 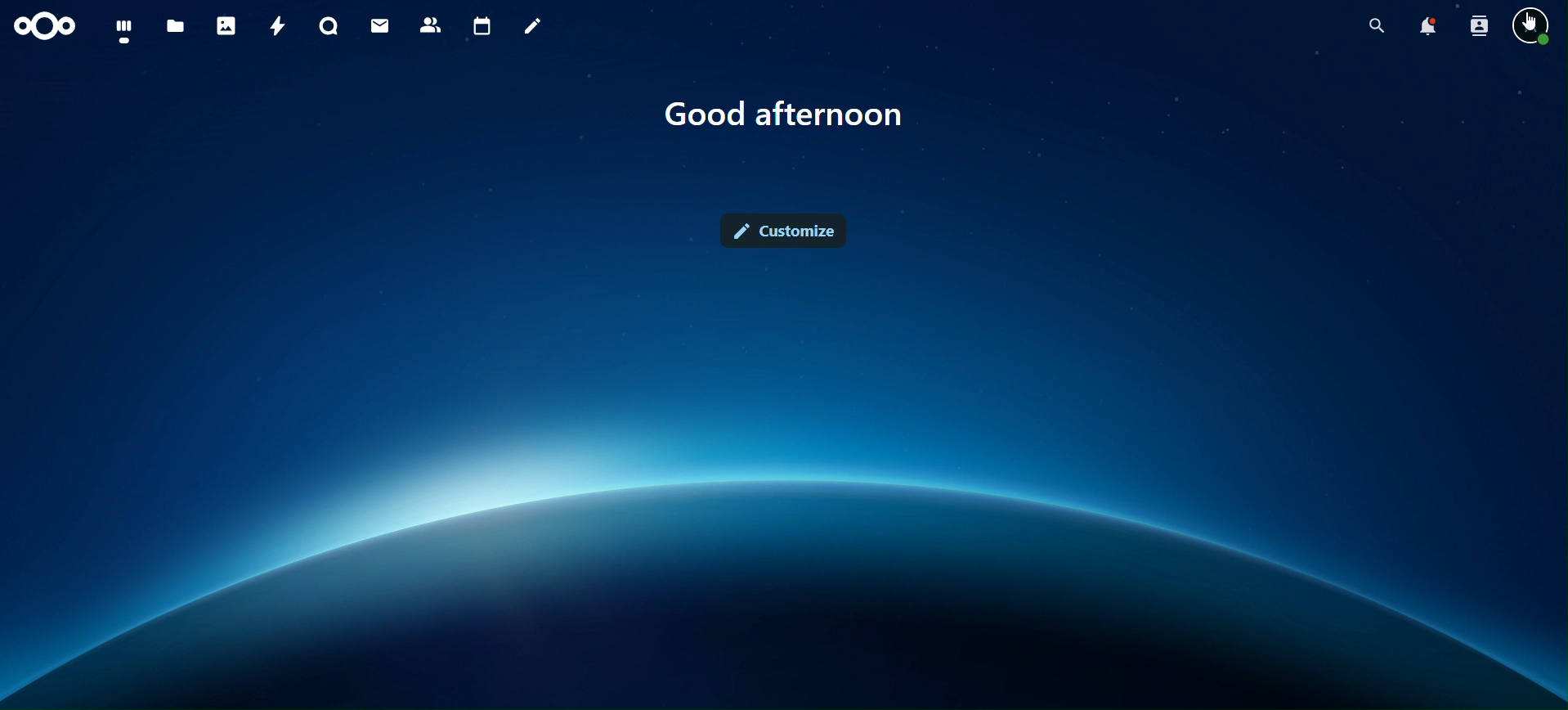 What do you see at coordinates (1374, 26) in the screenshot?
I see `search` at bounding box center [1374, 26].